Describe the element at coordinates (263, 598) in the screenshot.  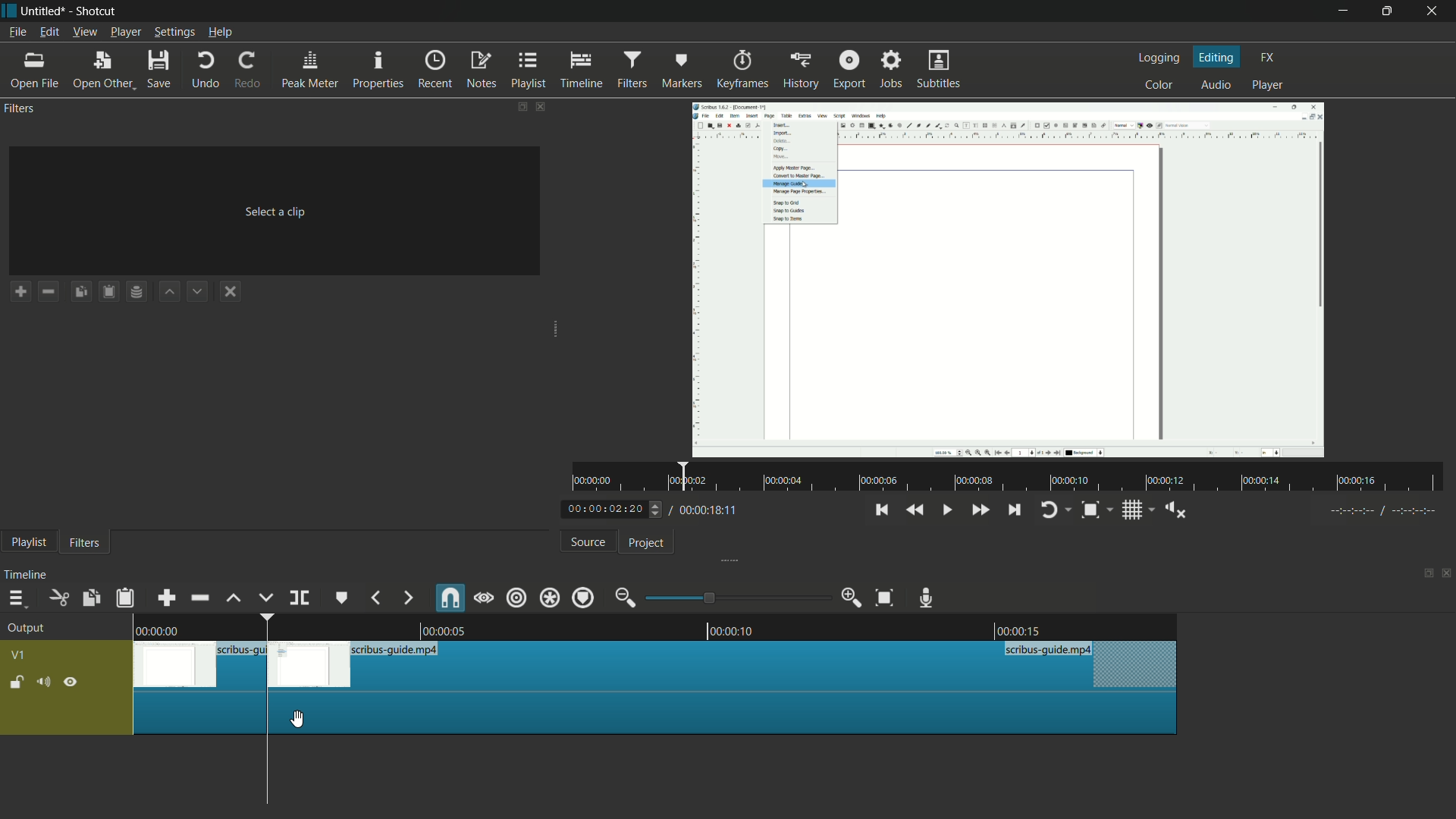
I see `overwrite` at that location.